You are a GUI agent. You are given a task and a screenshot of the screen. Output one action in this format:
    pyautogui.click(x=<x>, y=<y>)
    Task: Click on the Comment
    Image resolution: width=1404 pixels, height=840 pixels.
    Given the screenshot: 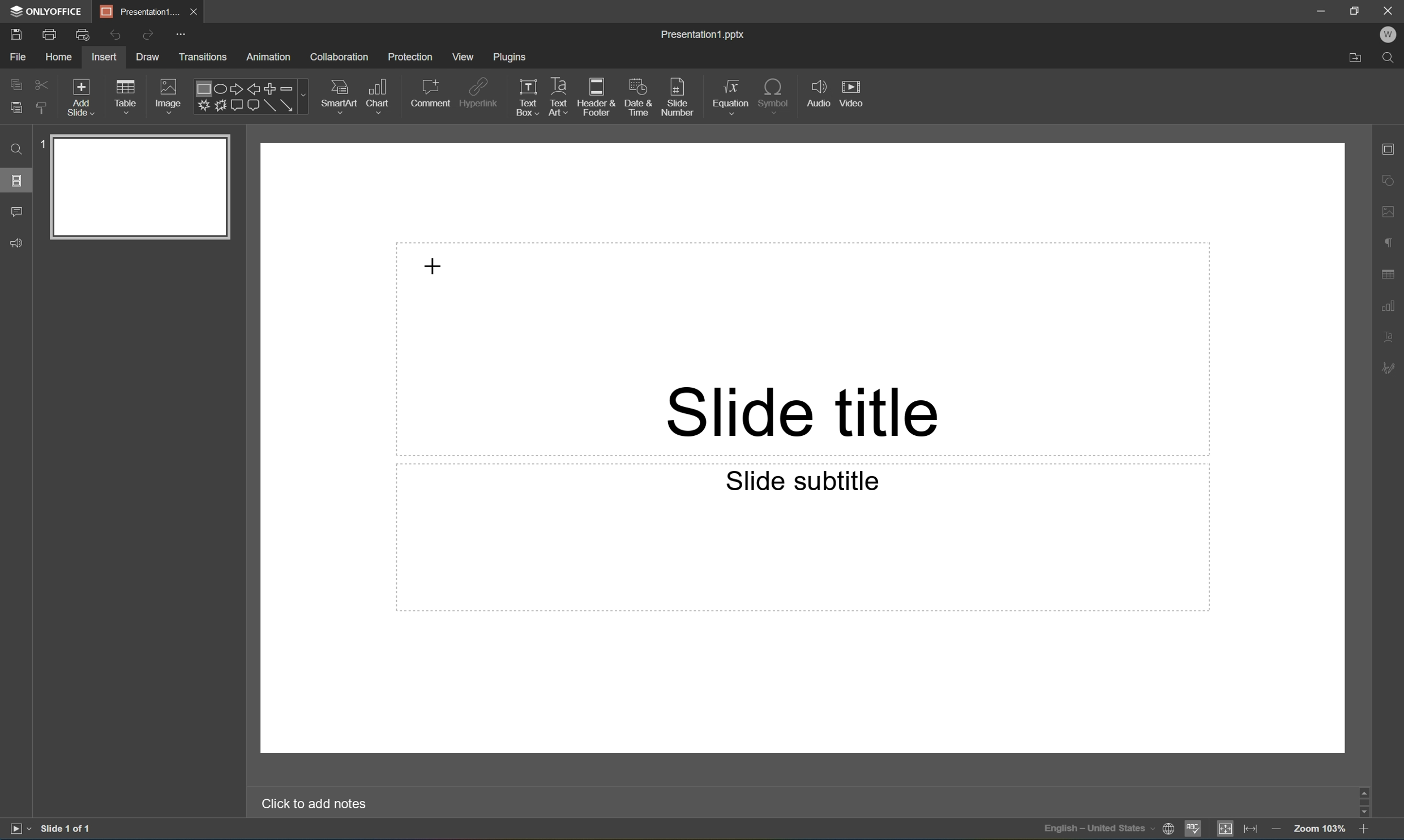 What is the action you would take?
    pyautogui.click(x=432, y=93)
    